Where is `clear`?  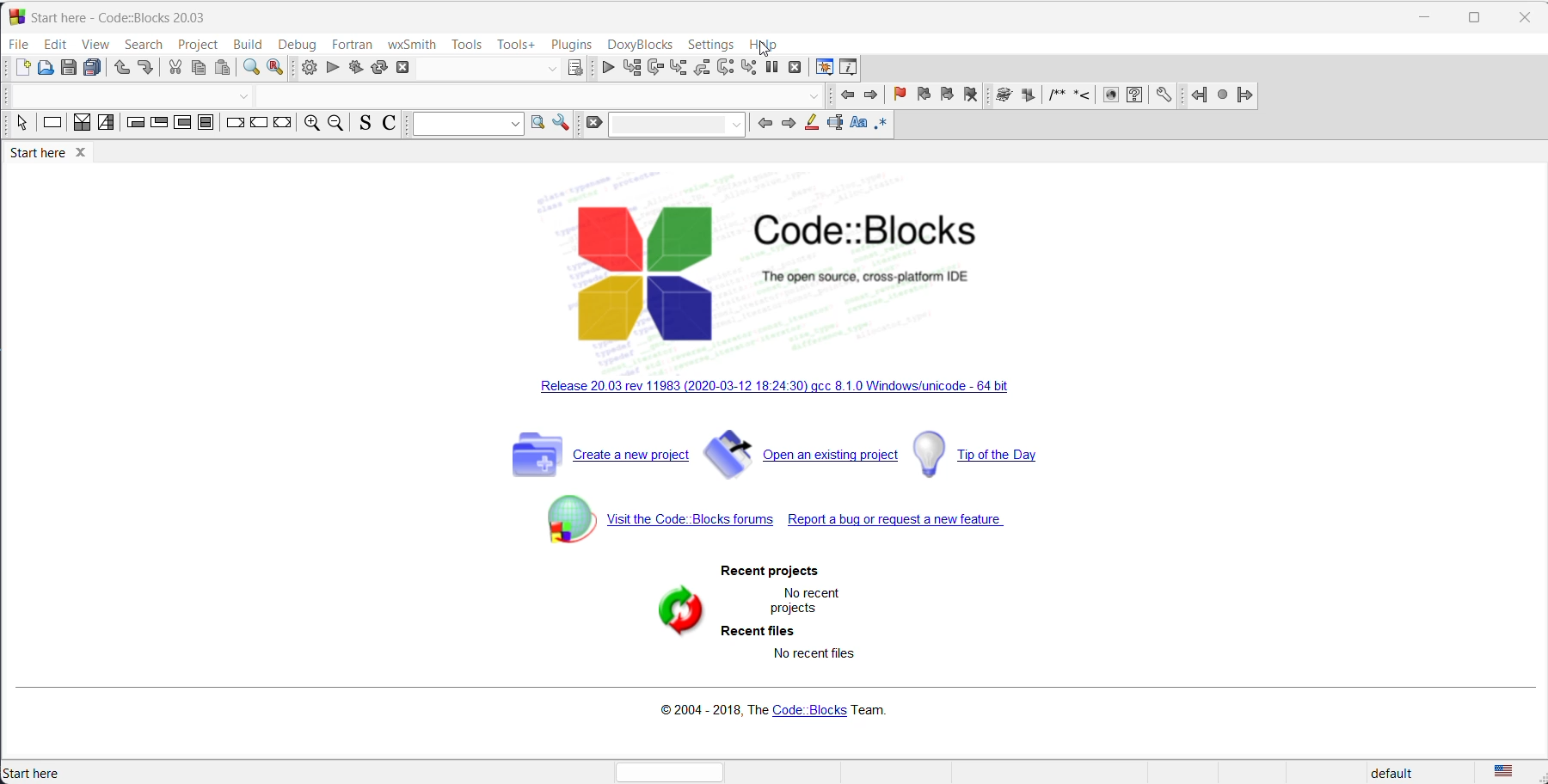
clear is located at coordinates (593, 125).